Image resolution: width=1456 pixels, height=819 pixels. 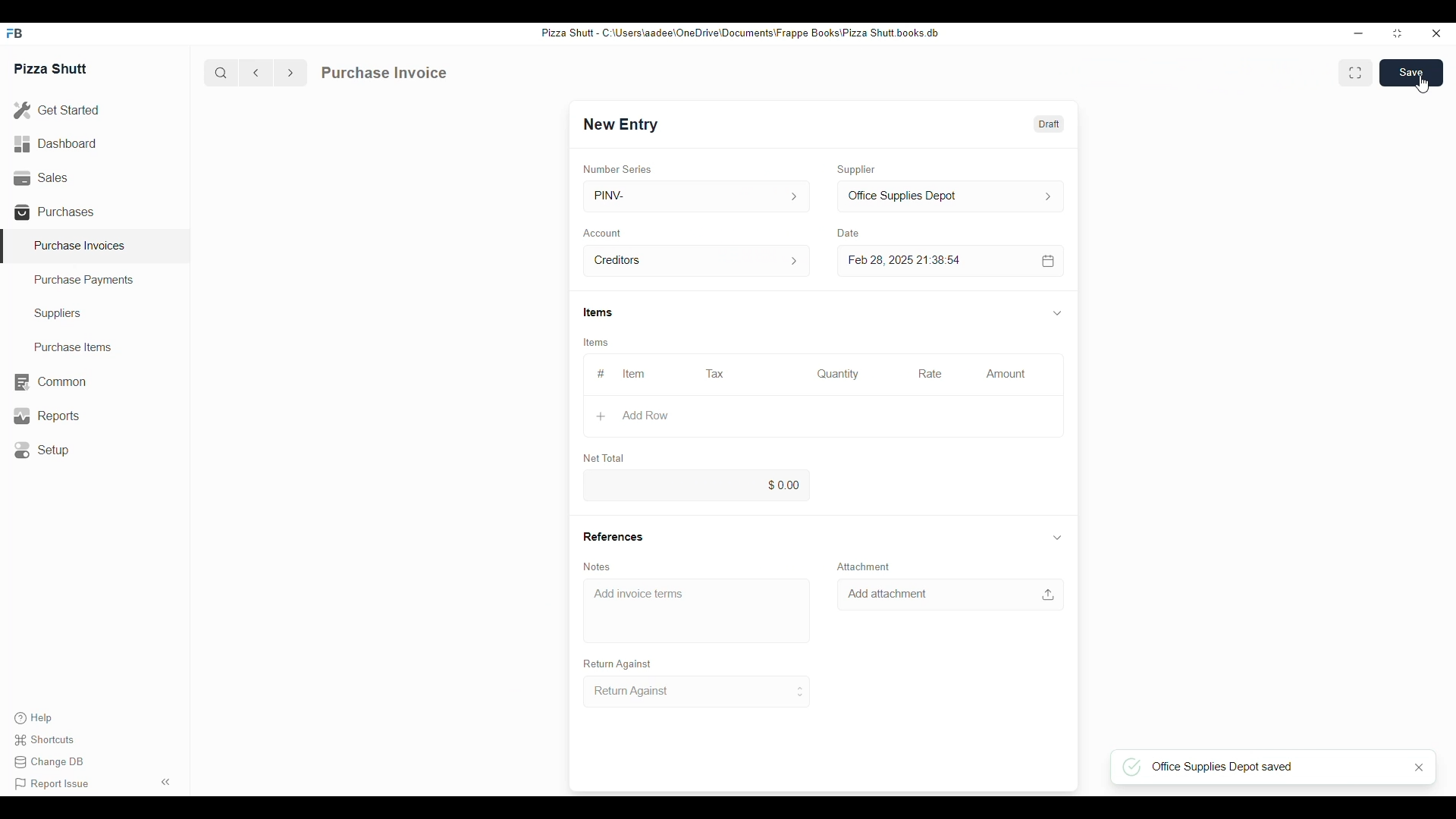 I want to click on Suppliers., so click(x=61, y=313).